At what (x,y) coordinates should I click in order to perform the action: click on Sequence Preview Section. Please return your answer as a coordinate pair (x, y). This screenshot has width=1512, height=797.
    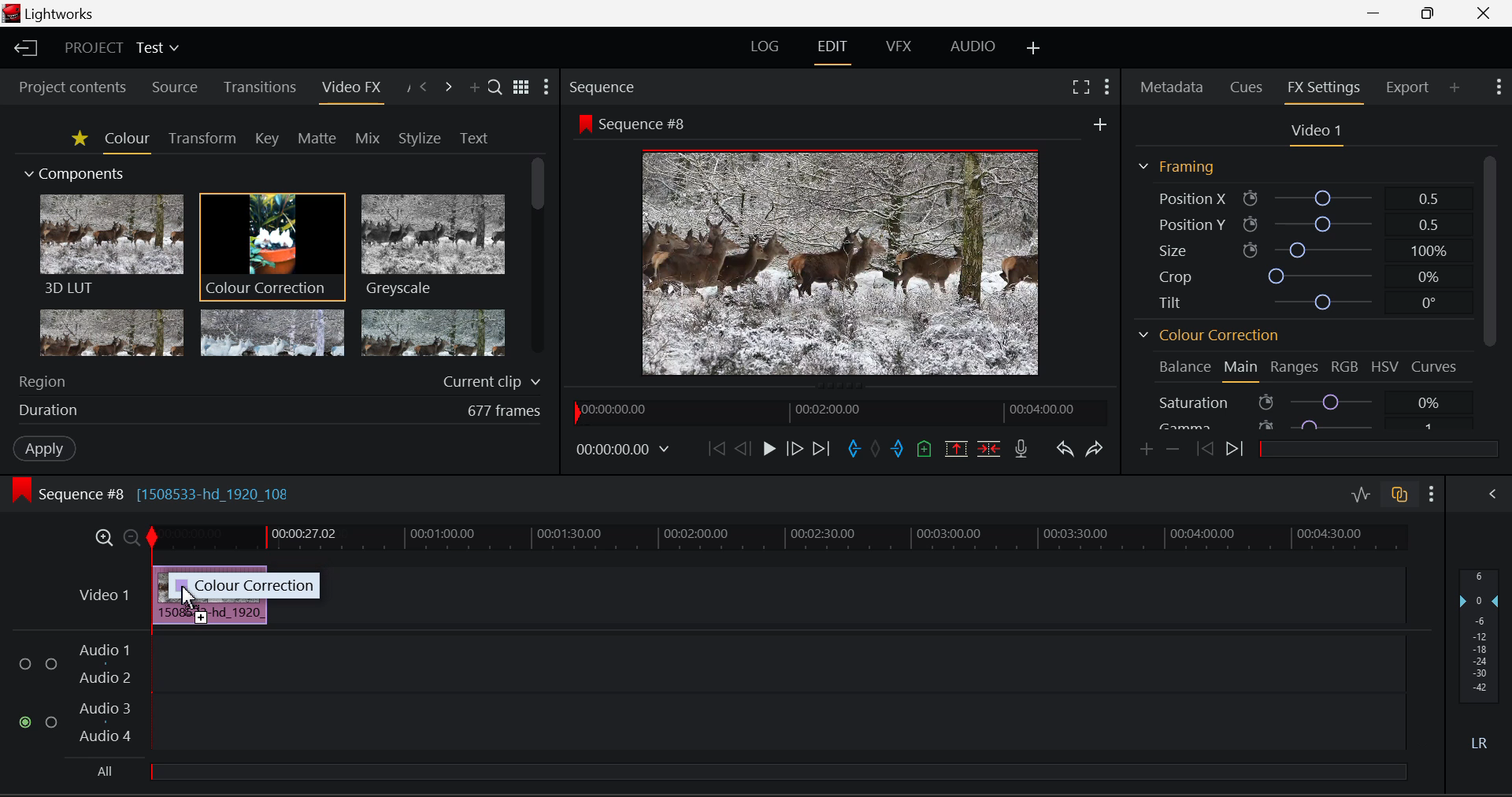
    Looking at the image, I should click on (606, 88).